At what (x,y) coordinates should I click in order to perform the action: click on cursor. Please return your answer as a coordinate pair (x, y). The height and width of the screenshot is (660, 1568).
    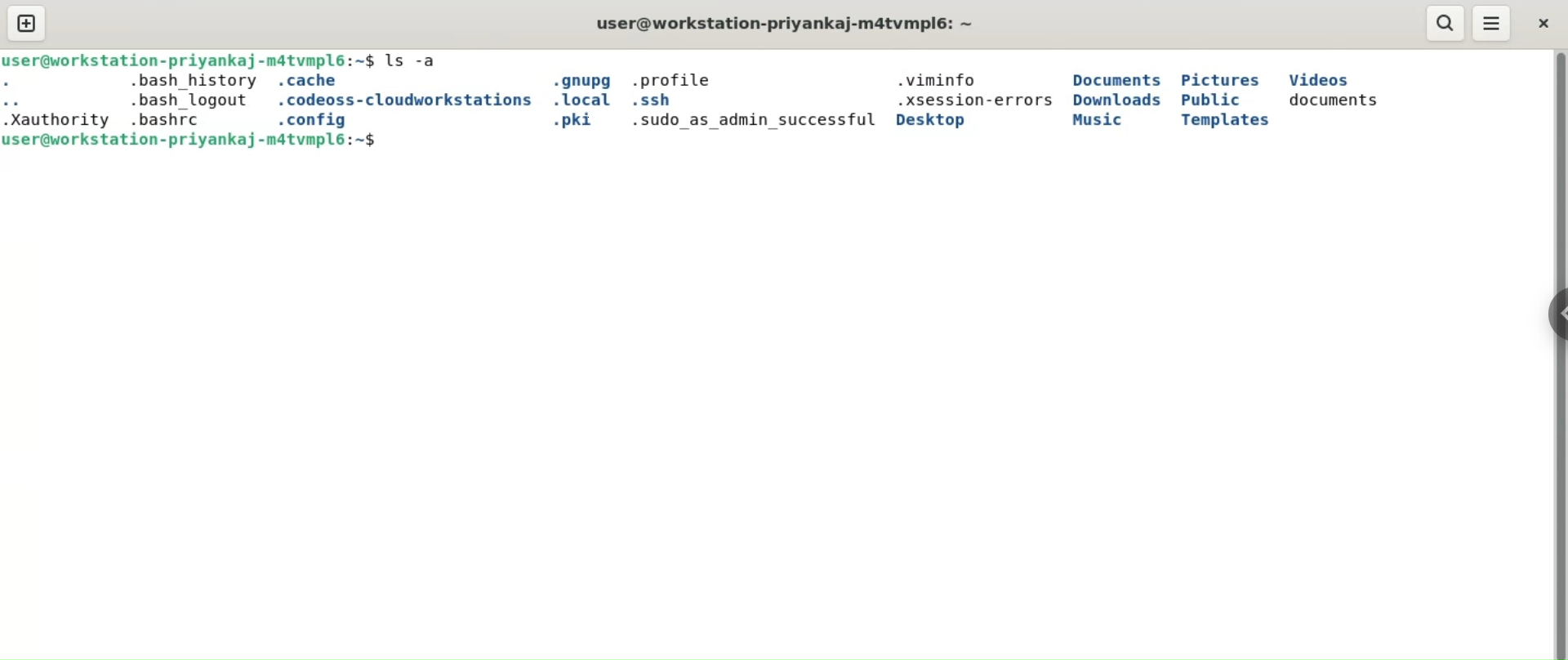
    Looking at the image, I should click on (393, 146).